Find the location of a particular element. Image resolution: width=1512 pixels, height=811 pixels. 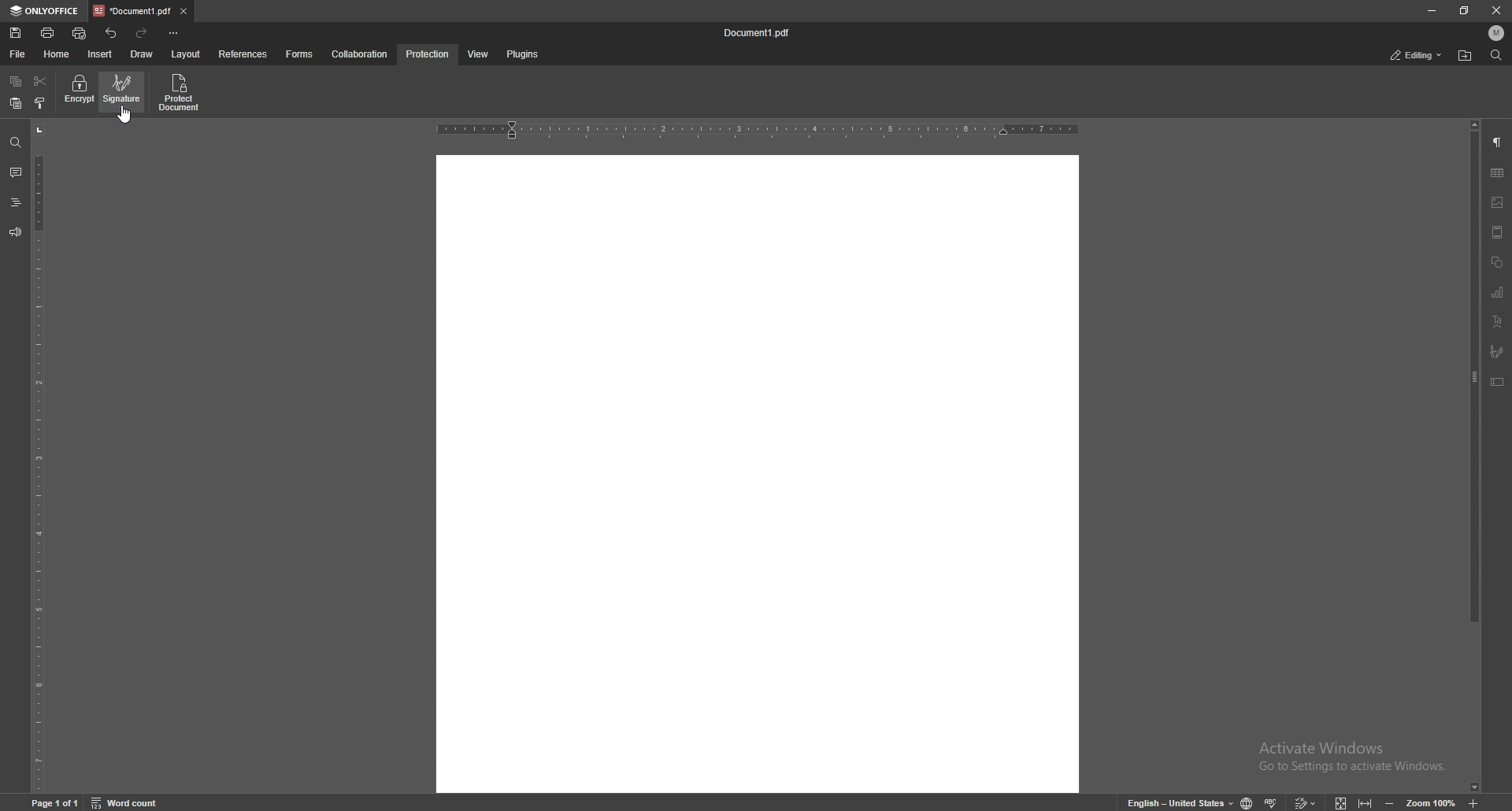

cut is located at coordinates (40, 82).